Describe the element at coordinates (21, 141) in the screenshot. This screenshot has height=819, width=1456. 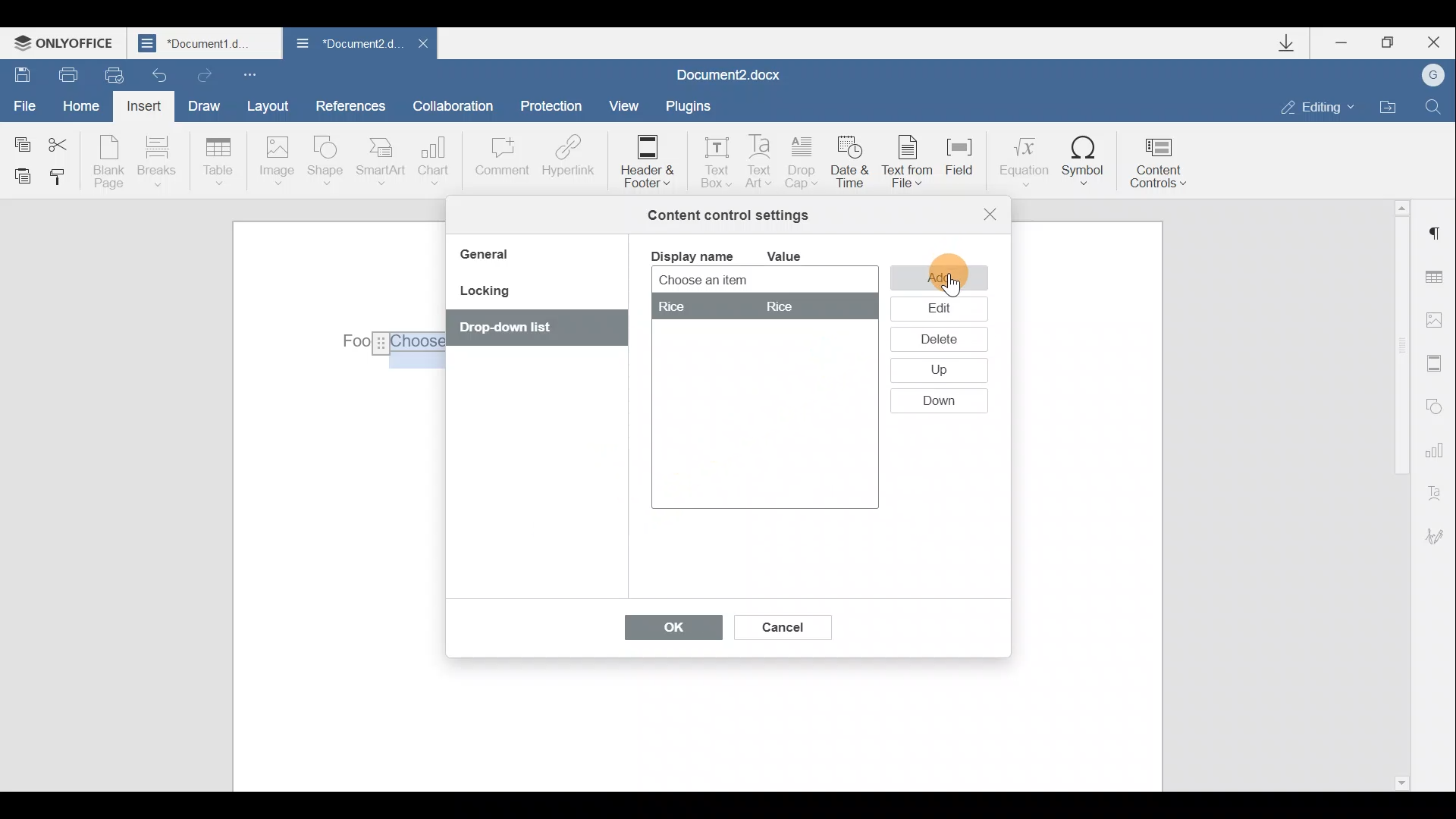
I see `Copy` at that location.